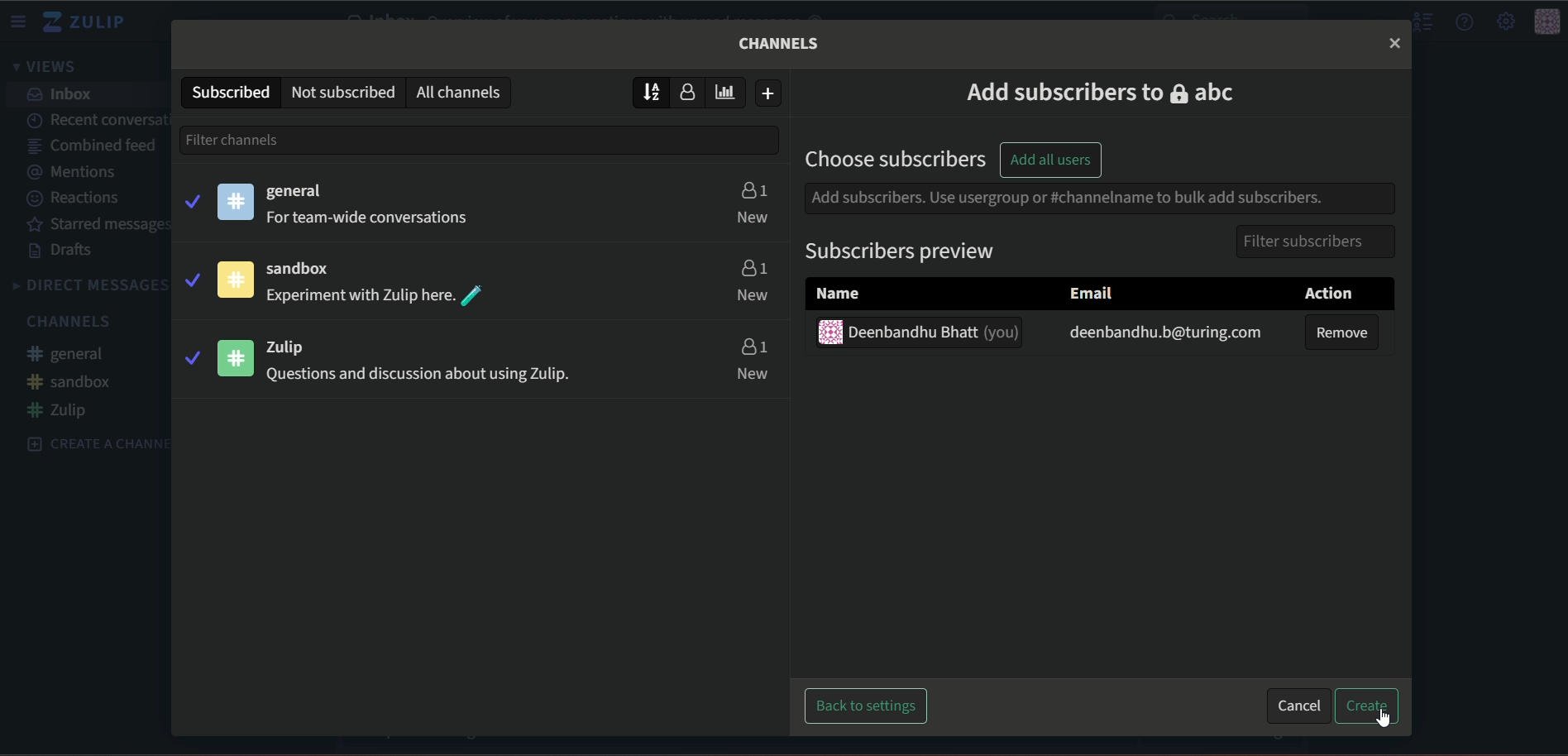 This screenshot has width=1568, height=756. Describe the element at coordinates (1394, 42) in the screenshot. I see `close` at that location.